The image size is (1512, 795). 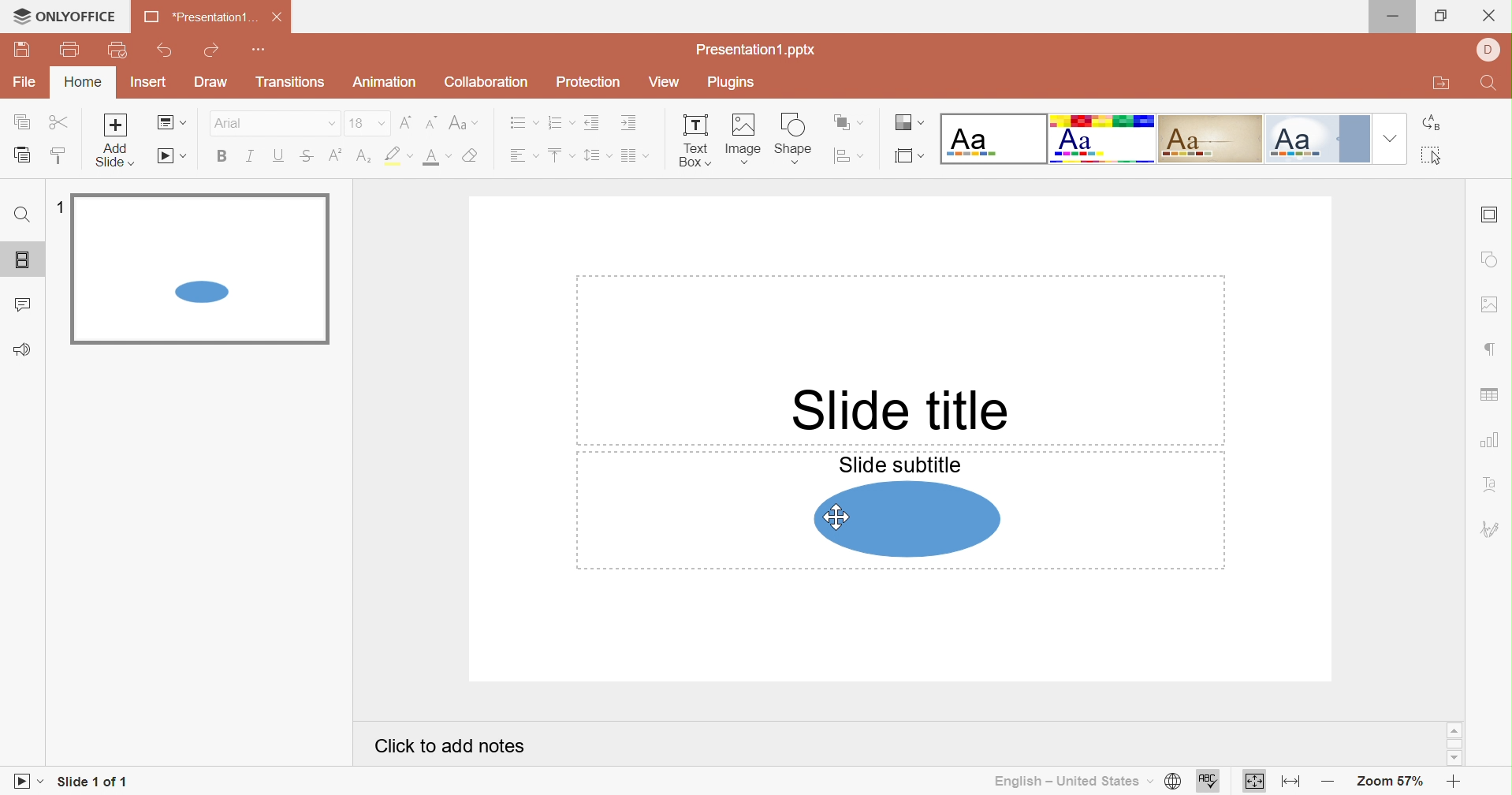 I want to click on Cursor, so click(x=836, y=521).